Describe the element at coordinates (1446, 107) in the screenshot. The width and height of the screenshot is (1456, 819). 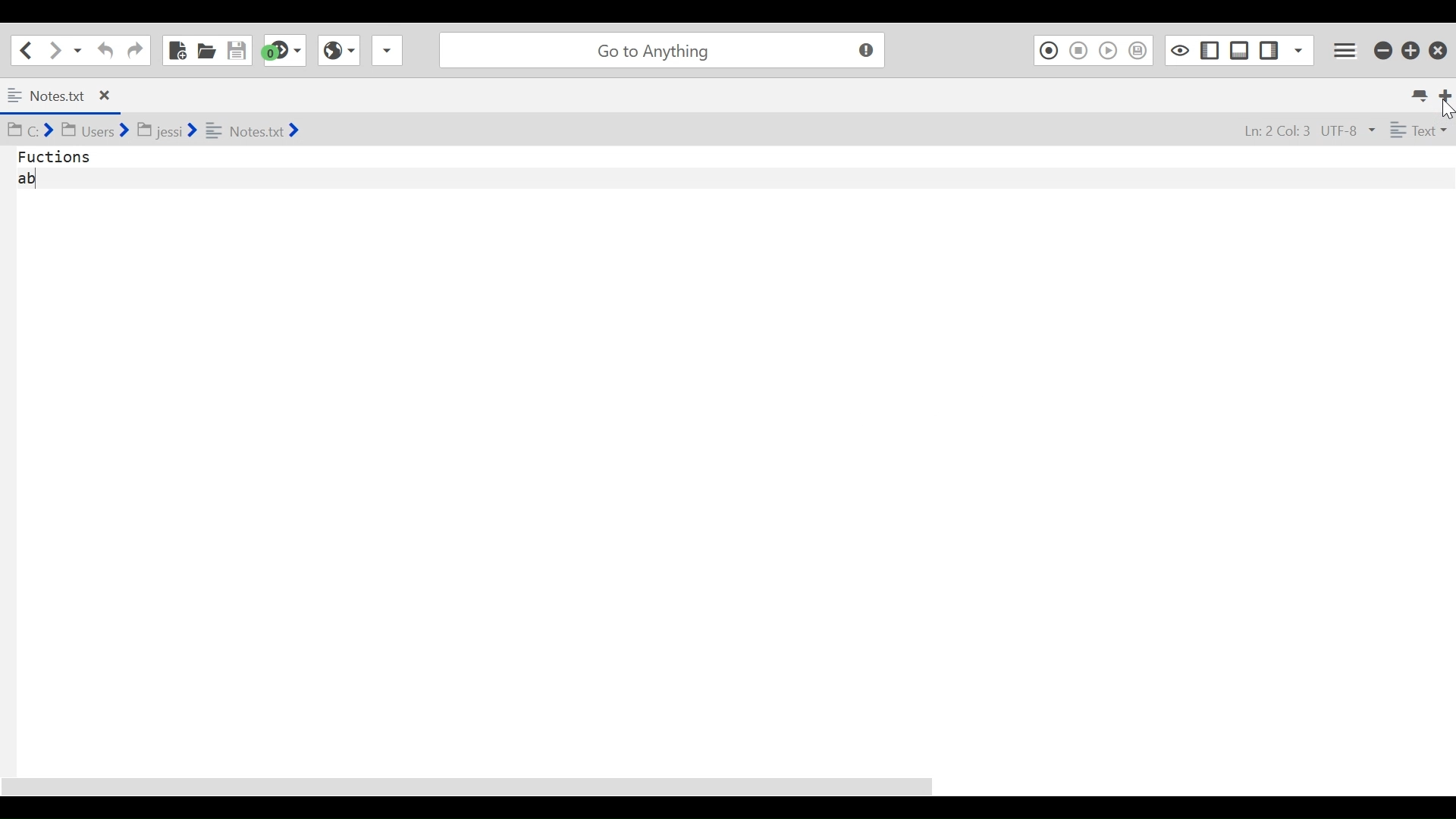
I see `Cursor` at that location.